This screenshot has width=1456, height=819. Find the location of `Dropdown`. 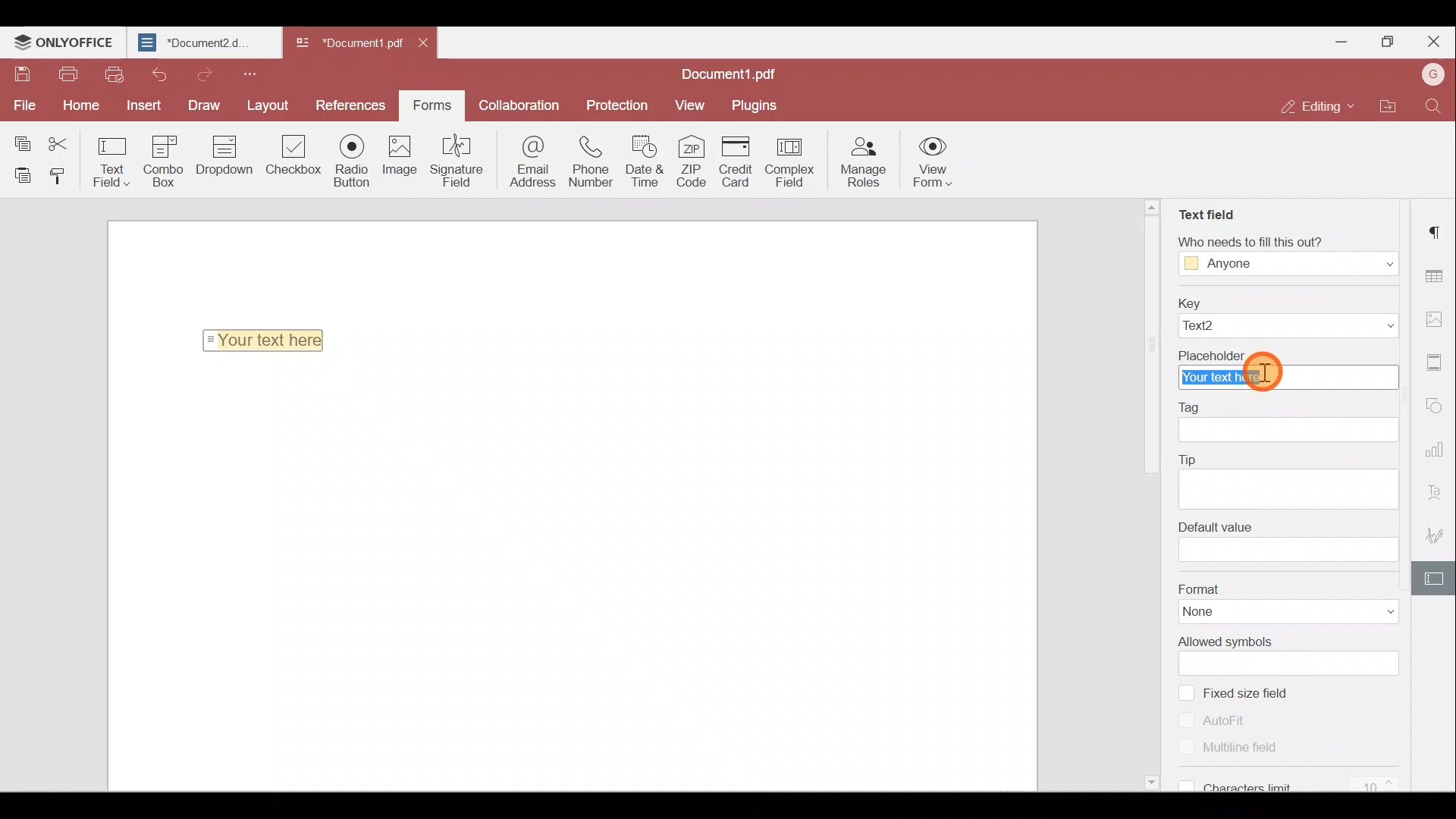

Dropdown is located at coordinates (1359, 326).